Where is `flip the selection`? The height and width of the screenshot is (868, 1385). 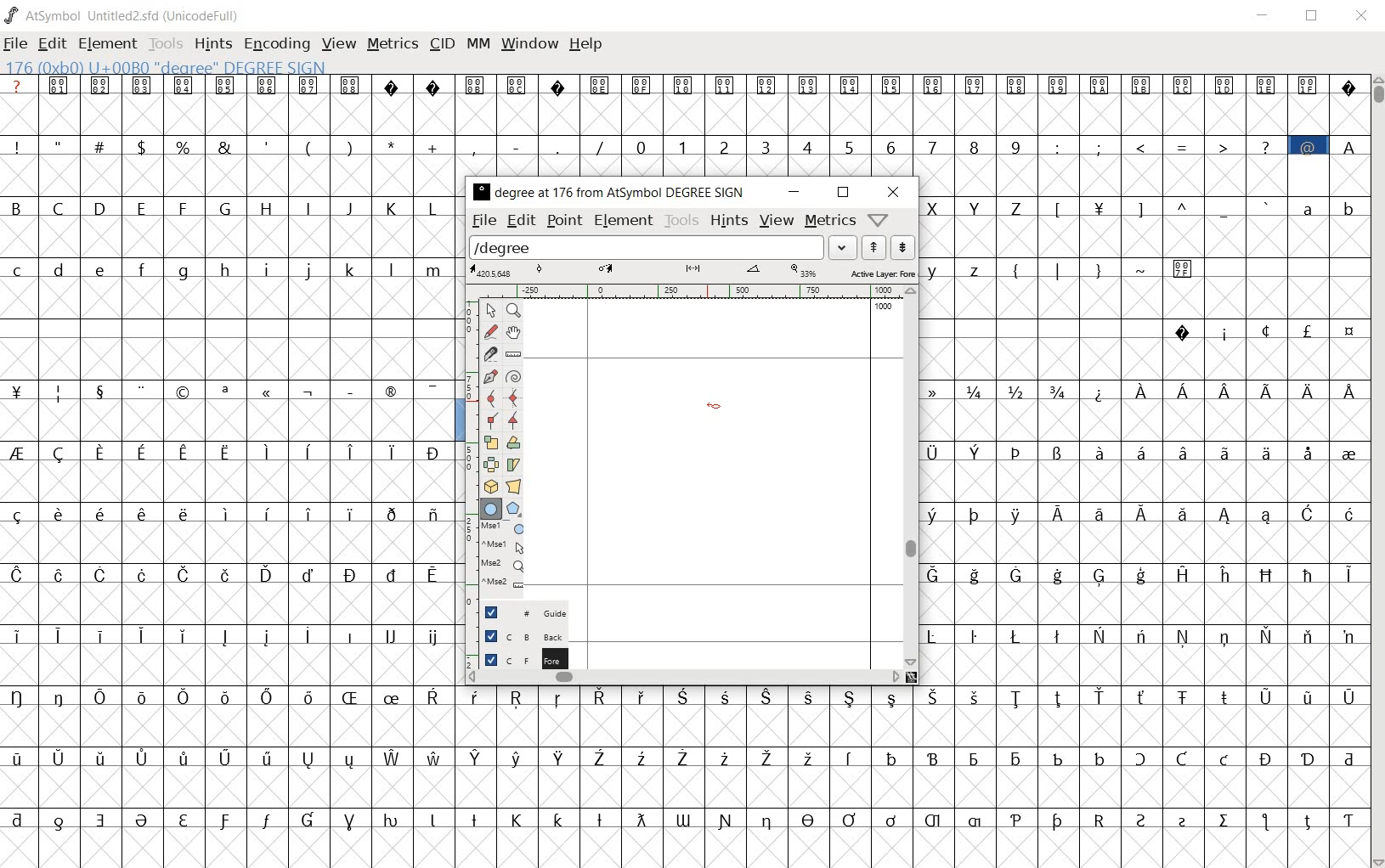 flip the selection is located at coordinates (489, 465).